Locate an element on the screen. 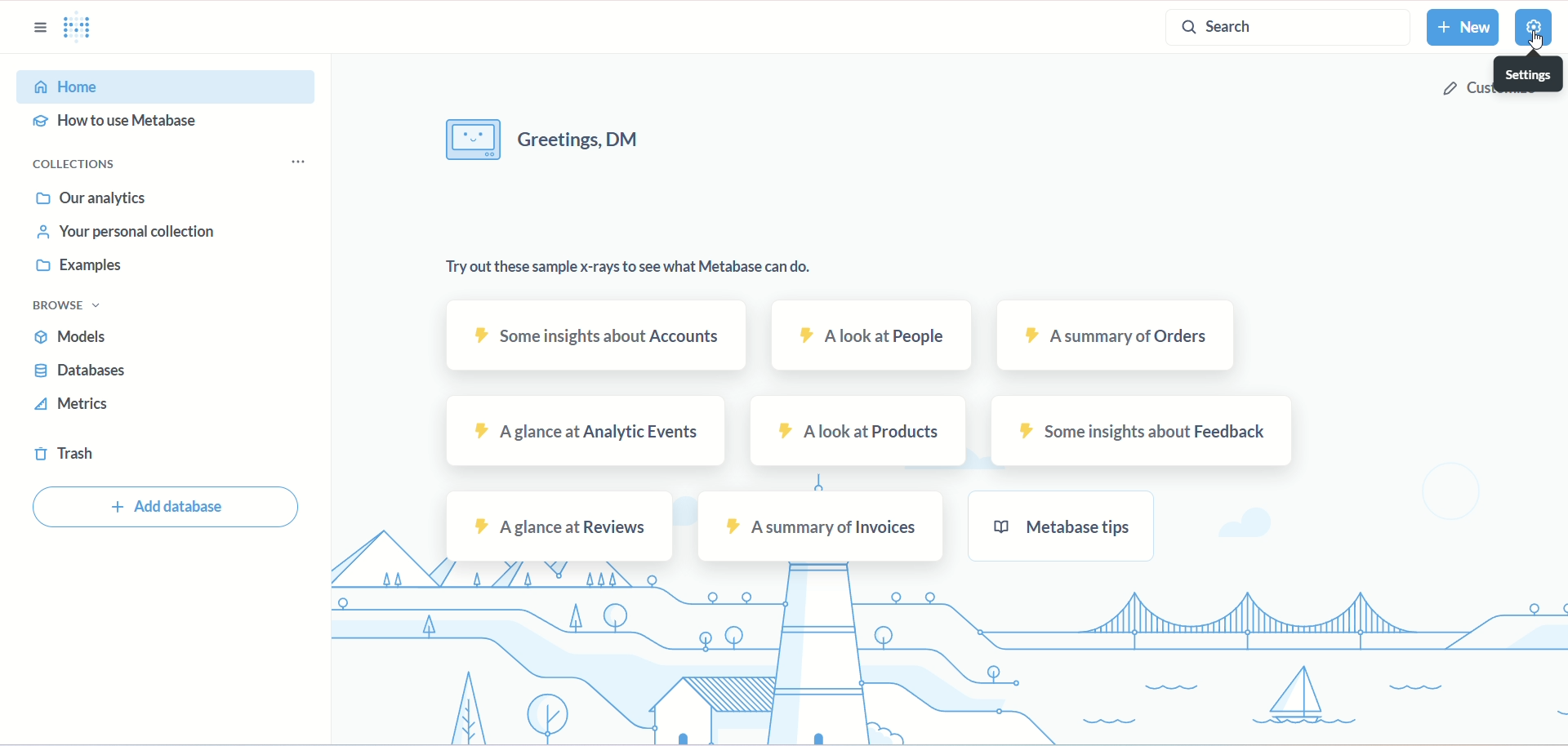  how to use metabase is located at coordinates (120, 123).